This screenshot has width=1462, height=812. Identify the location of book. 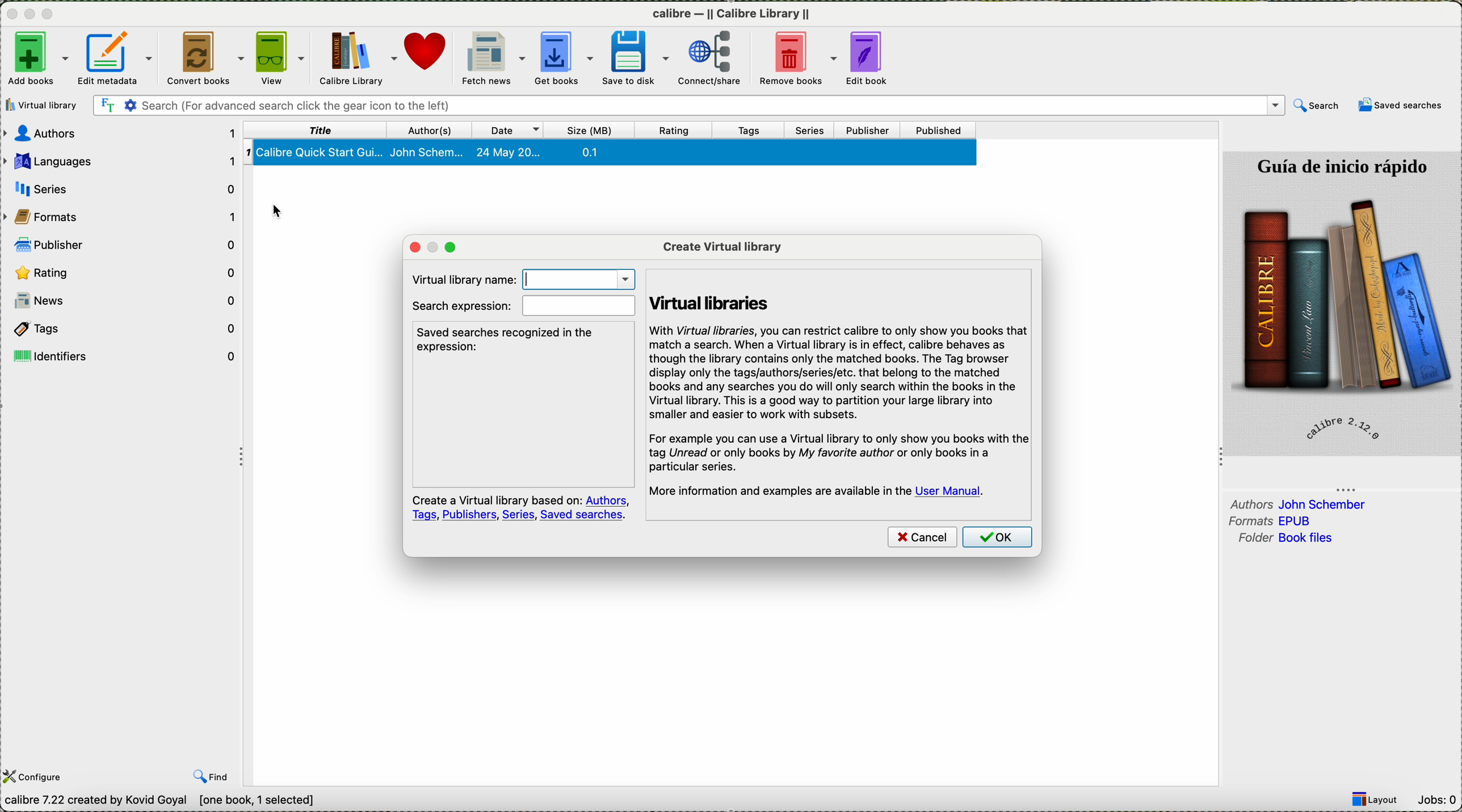
(612, 154).